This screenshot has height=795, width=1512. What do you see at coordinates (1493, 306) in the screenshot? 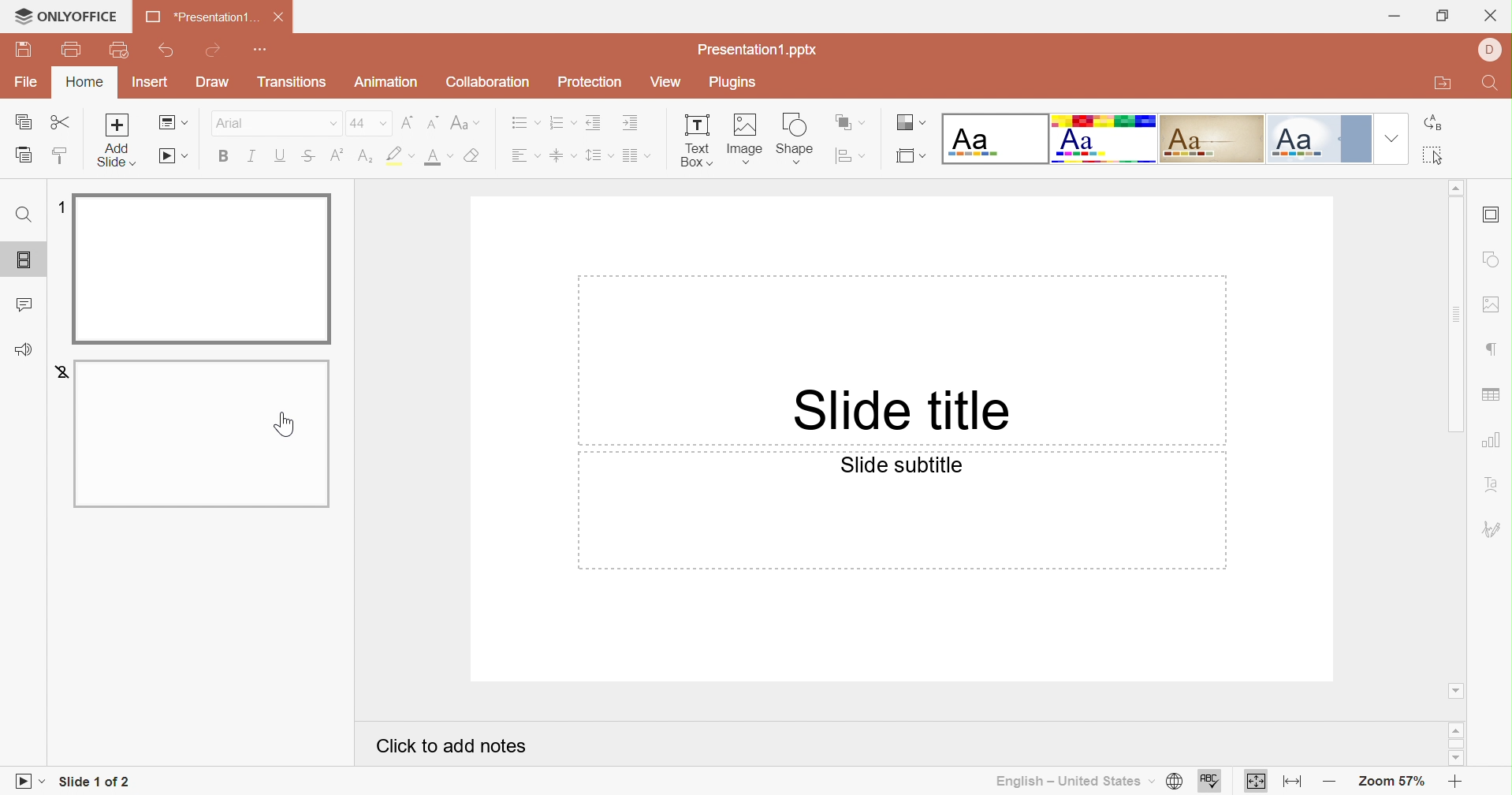
I see `Image settings` at bounding box center [1493, 306].